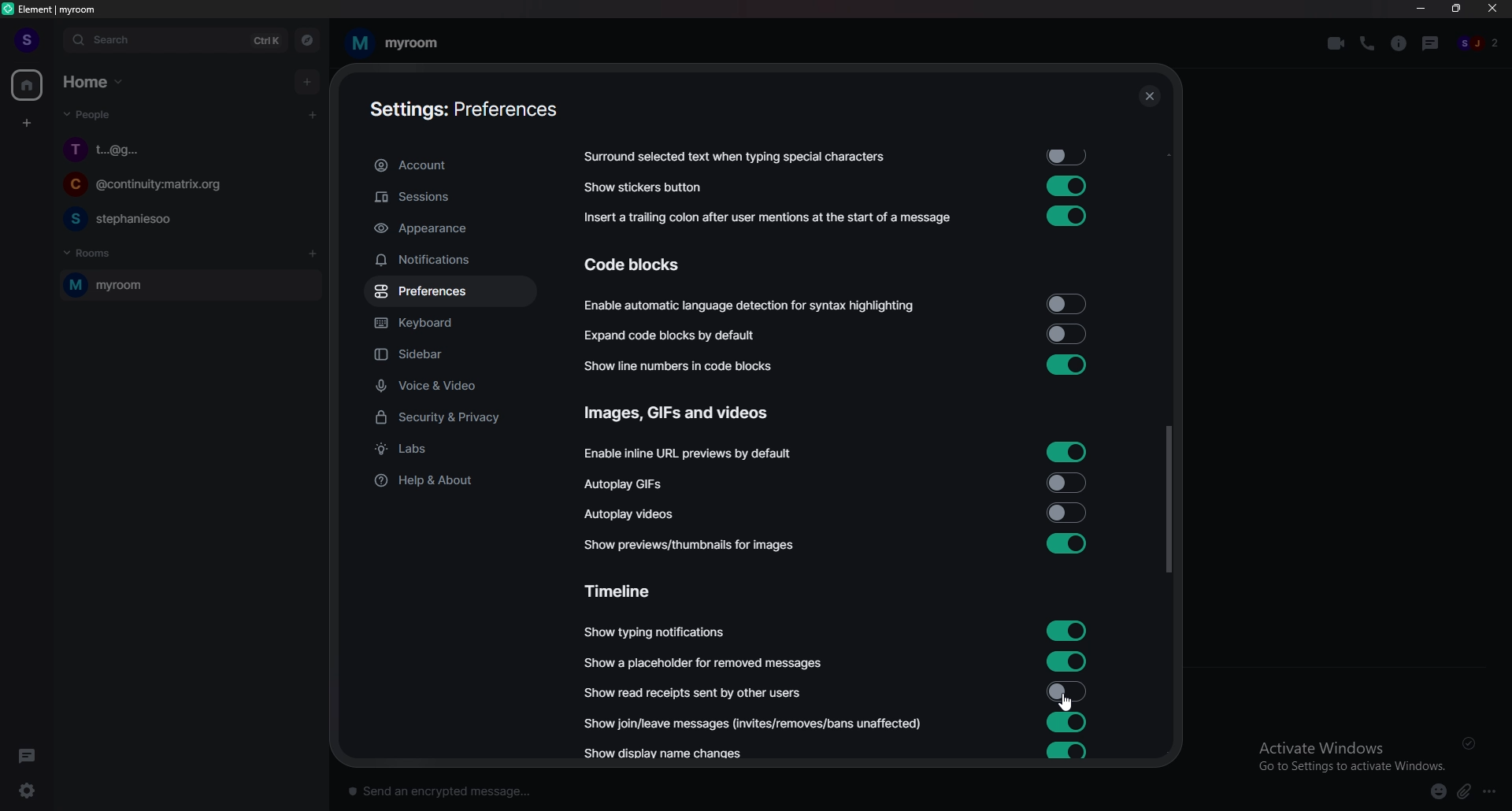 The width and height of the screenshot is (1512, 811). What do you see at coordinates (1068, 722) in the screenshot?
I see `toggle` at bounding box center [1068, 722].